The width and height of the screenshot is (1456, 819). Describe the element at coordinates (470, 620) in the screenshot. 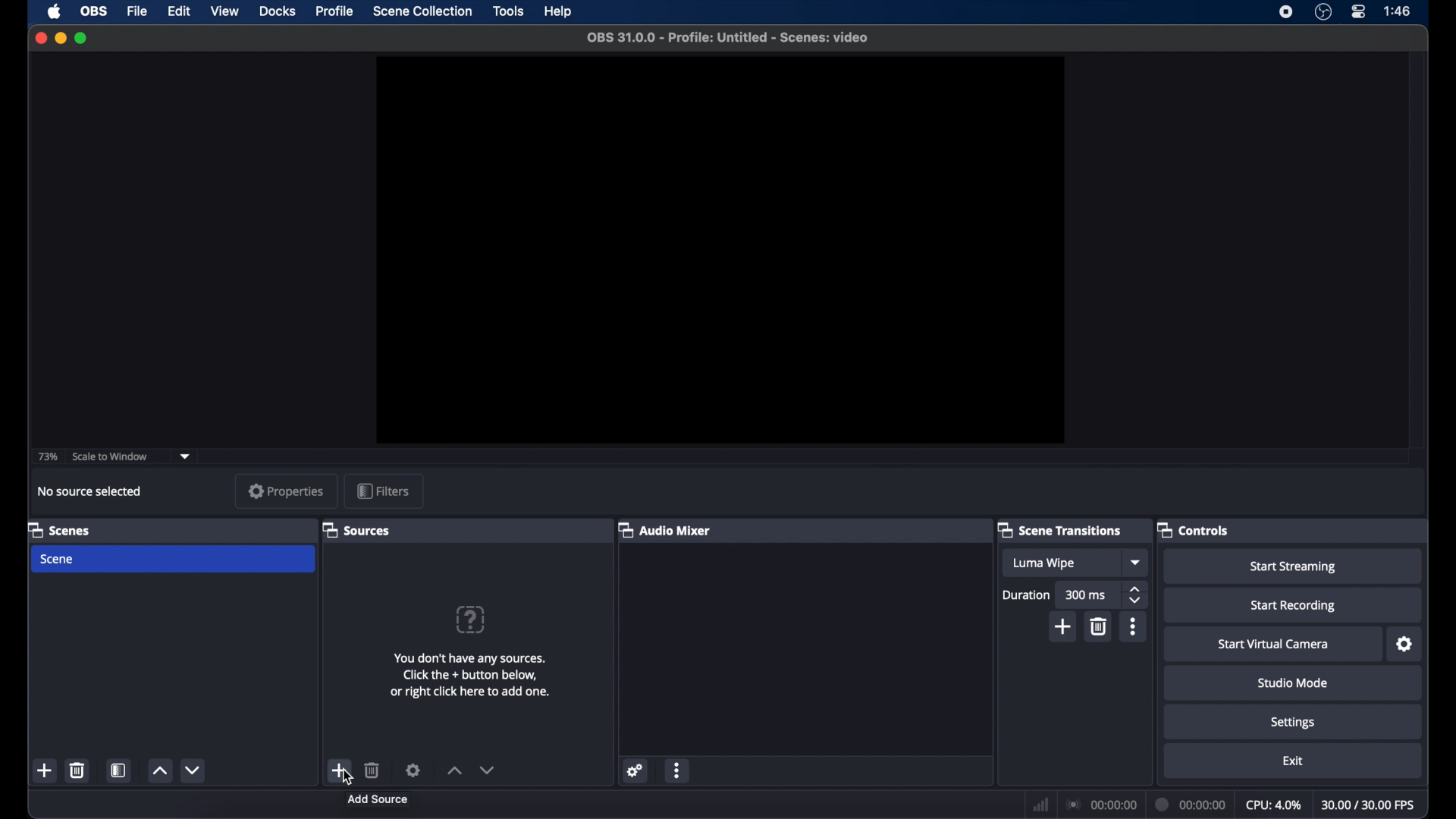

I see `question mark icon` at that location.